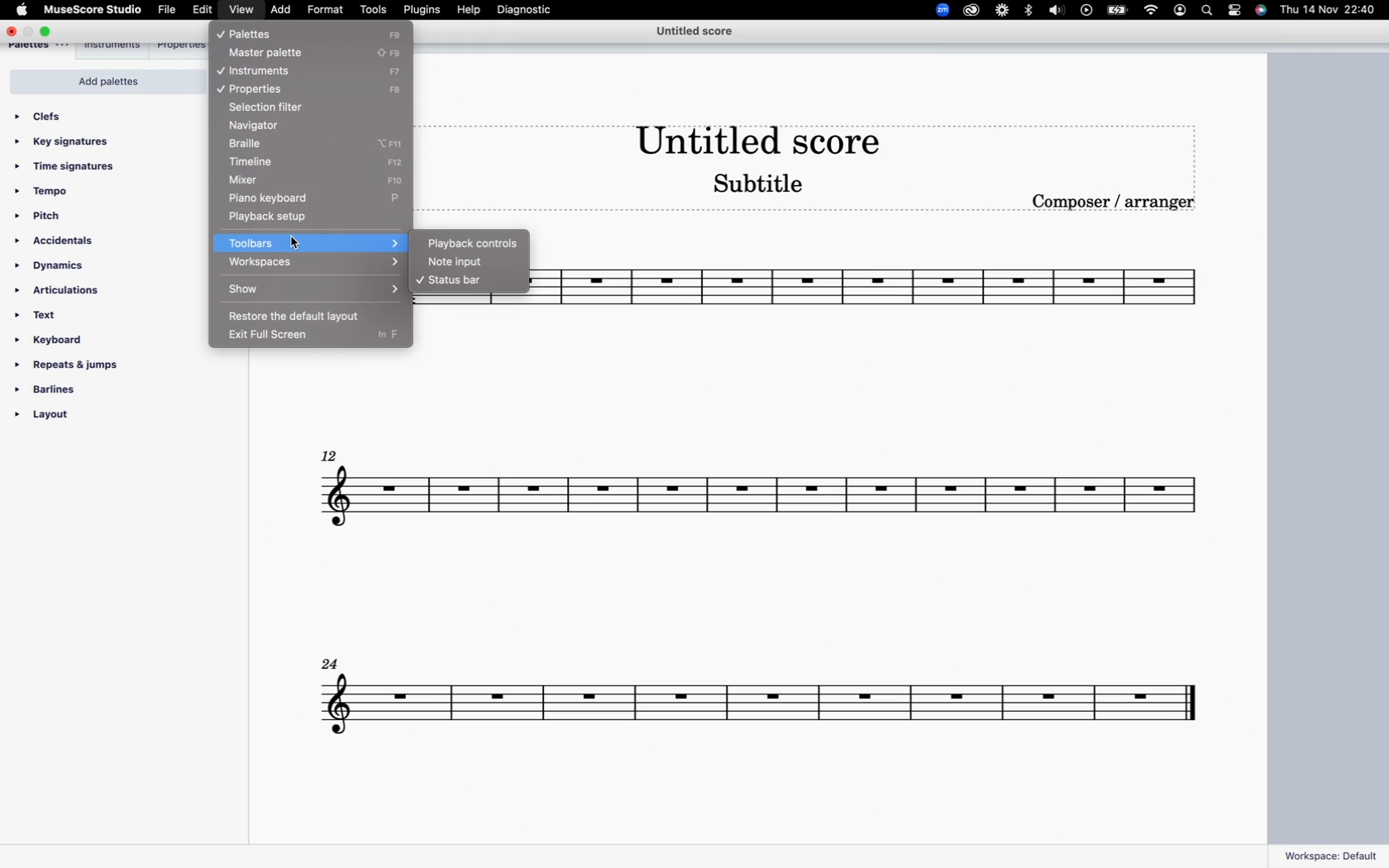  Describe the element at coordinates (100, 82) in the screenshot. I see `add palettes` at that location.